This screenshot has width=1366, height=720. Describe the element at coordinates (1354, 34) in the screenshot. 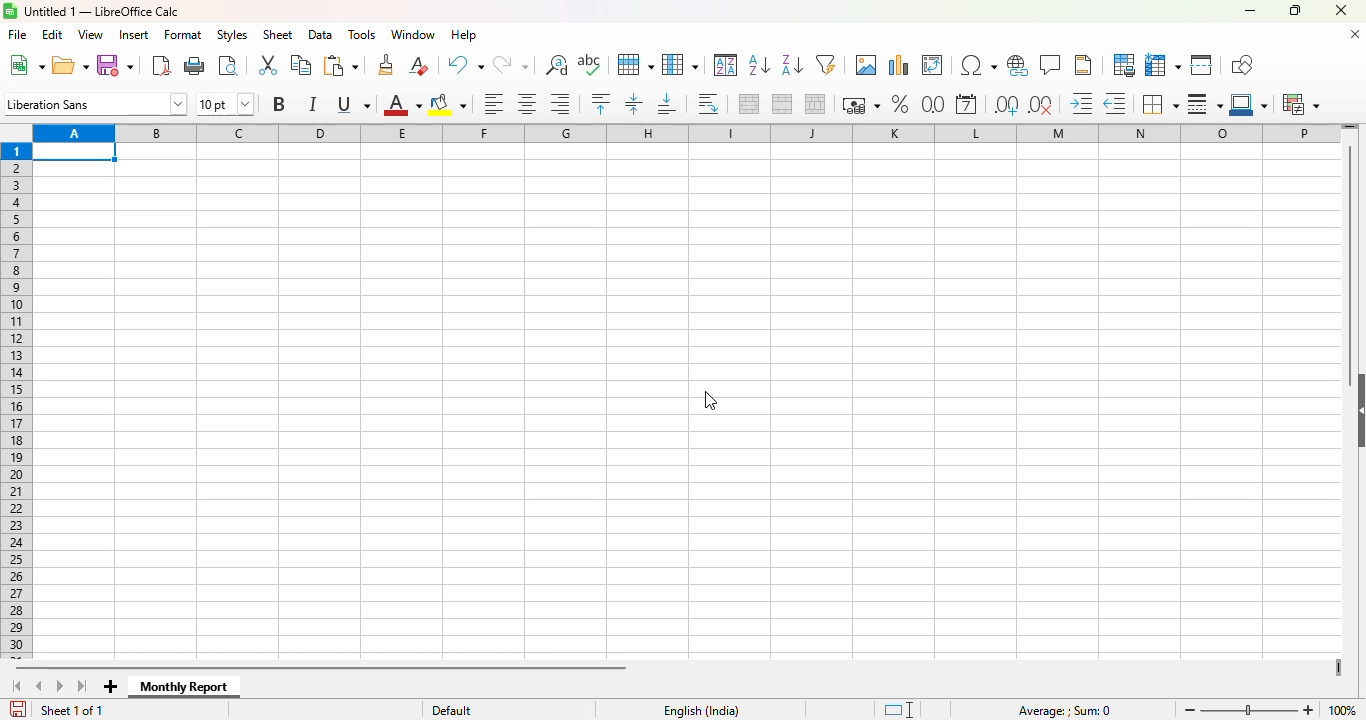

I see `close document` at that location.